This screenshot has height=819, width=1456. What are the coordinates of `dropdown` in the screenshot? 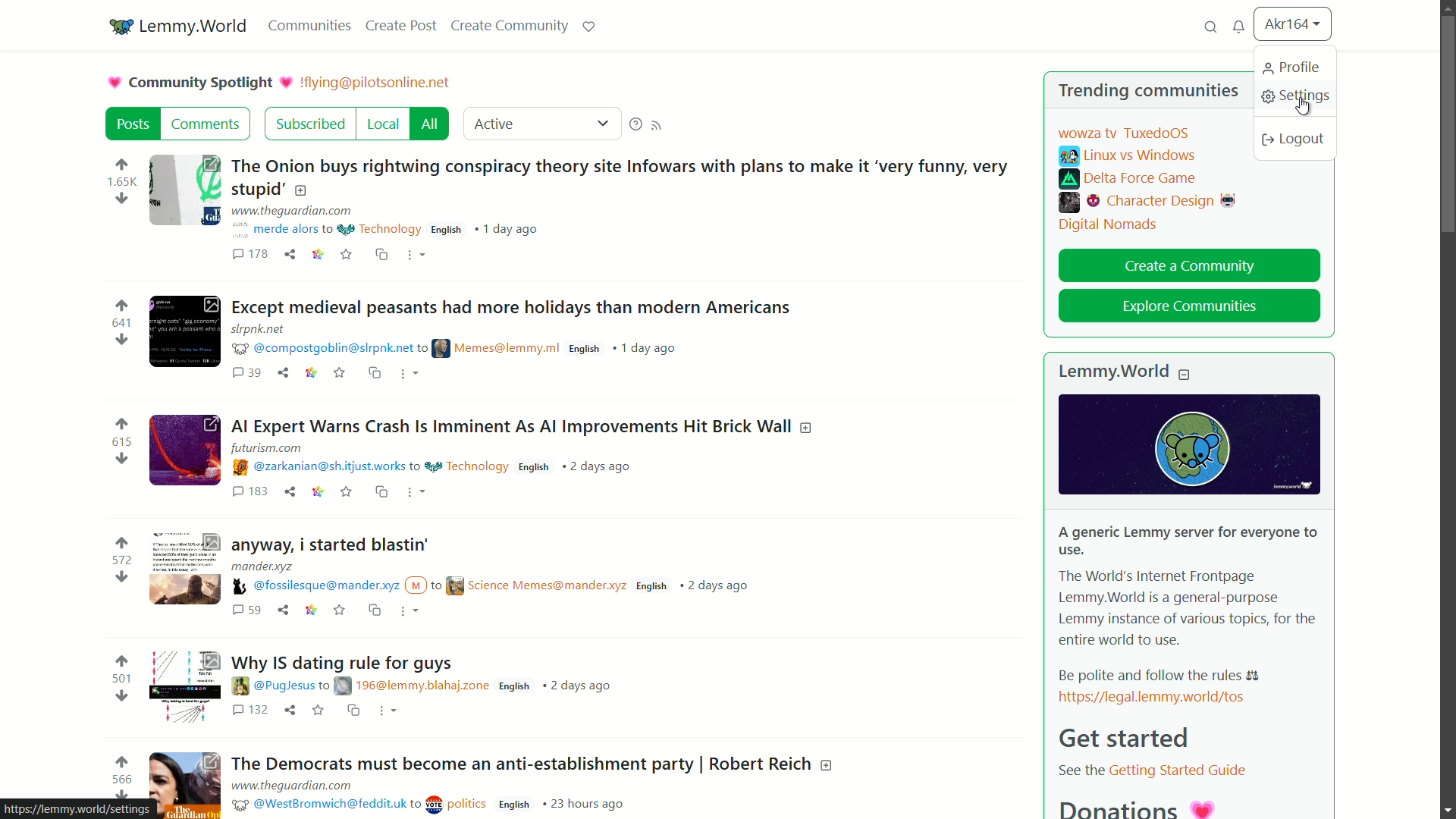 It's located at (604, 124).